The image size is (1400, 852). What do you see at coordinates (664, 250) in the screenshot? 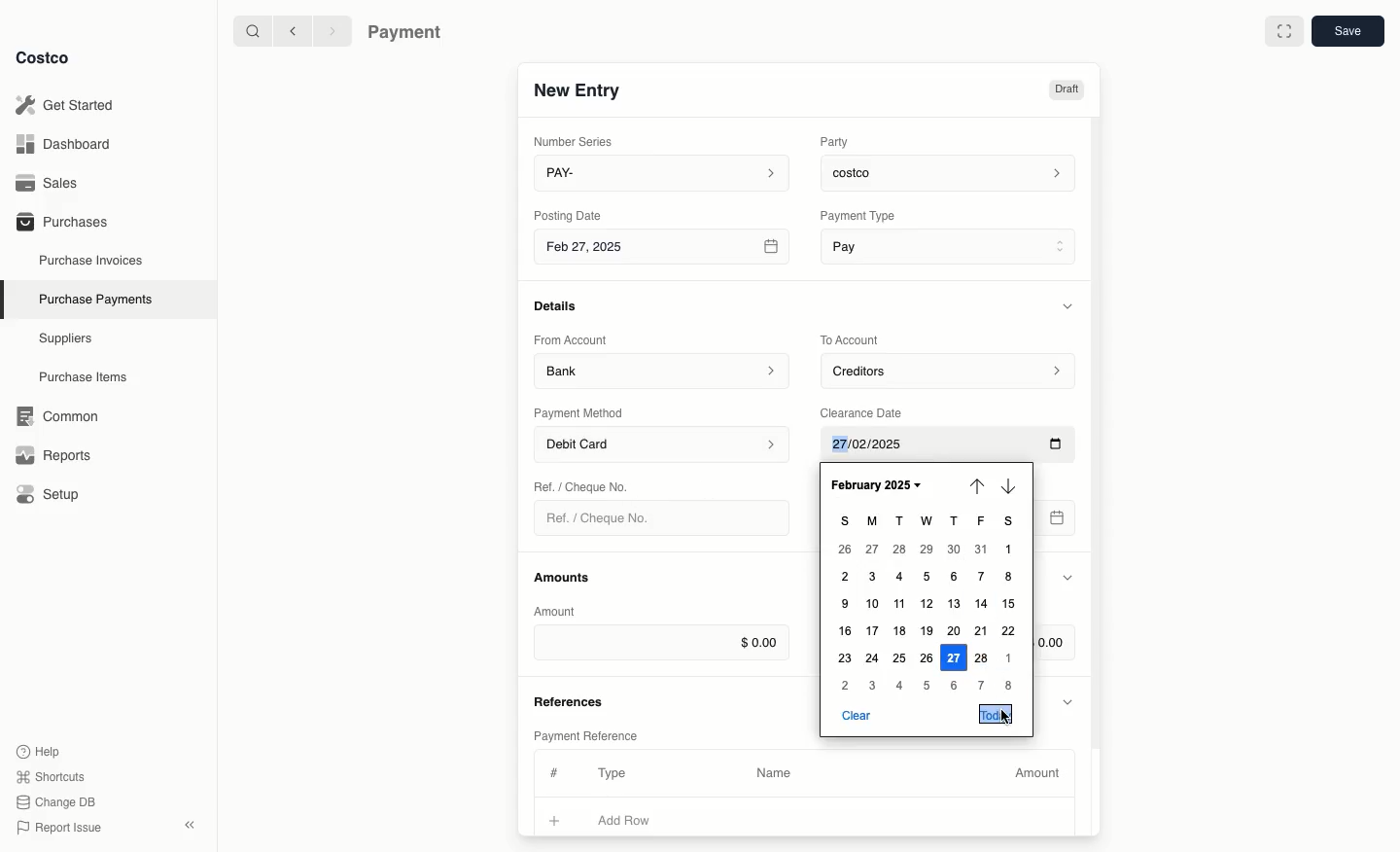
I see `Feb 27, 2025` at bounding box center [664, 250].